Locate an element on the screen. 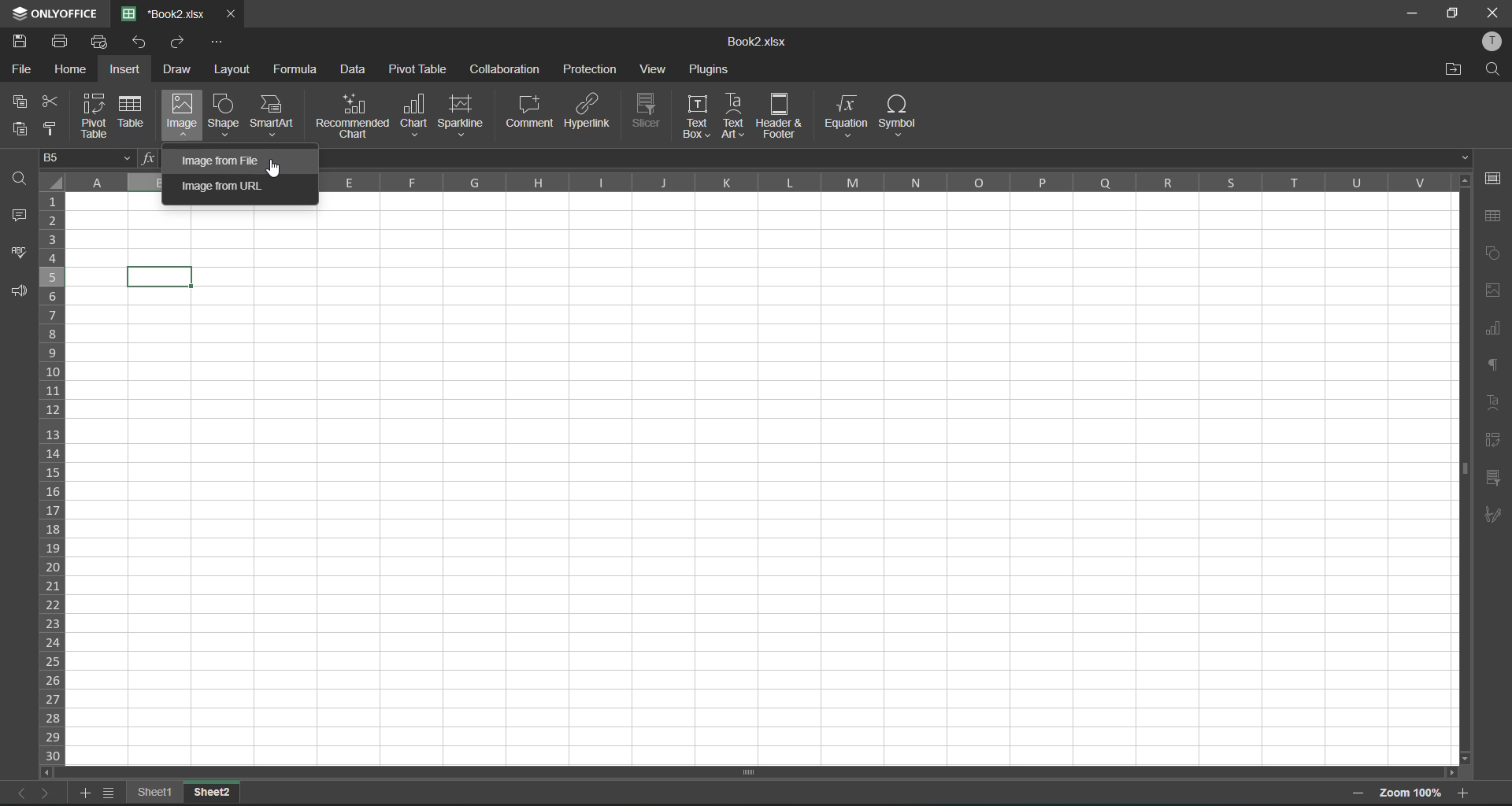  open location is located at coordinates (1447, 71).